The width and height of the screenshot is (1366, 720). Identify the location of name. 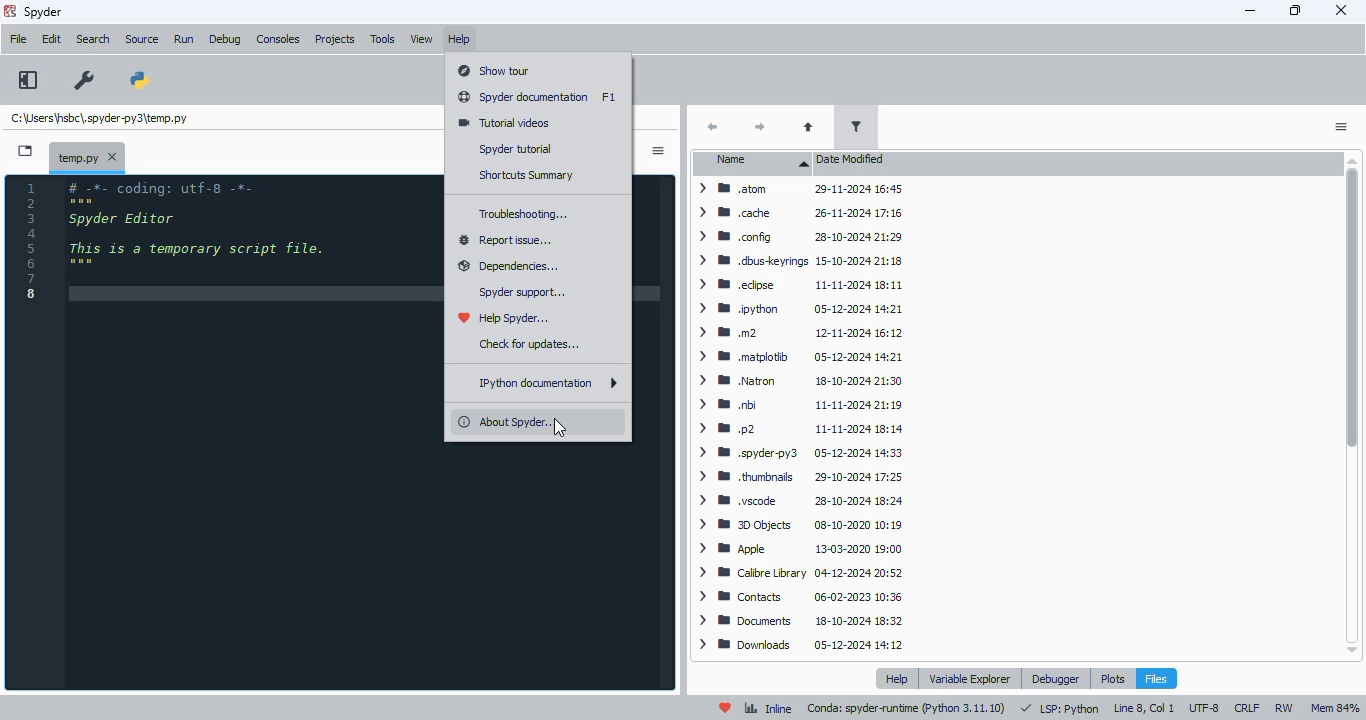
(757, 163).